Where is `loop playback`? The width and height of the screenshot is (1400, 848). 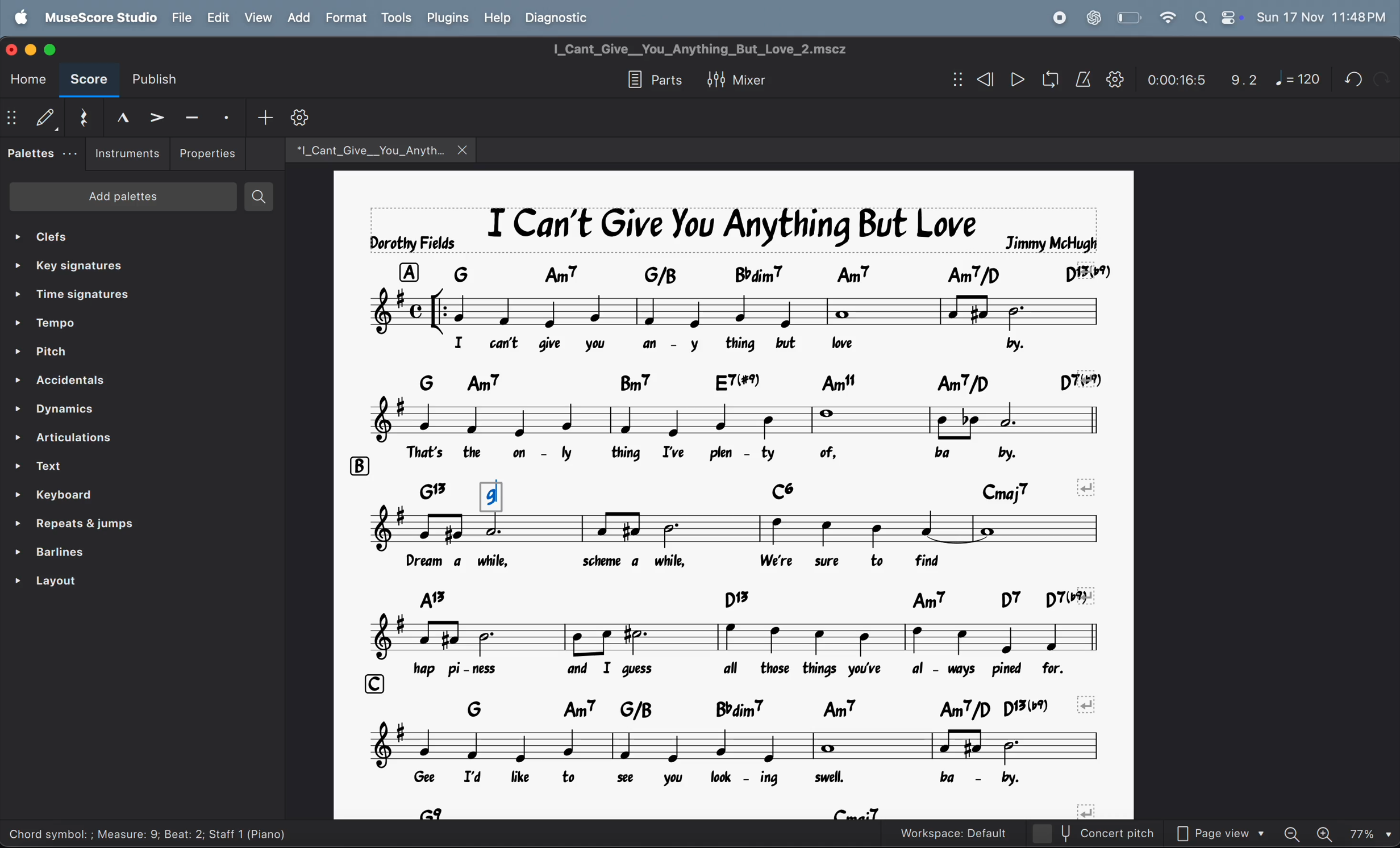 loop playback is located at coordinates (1047, 80).